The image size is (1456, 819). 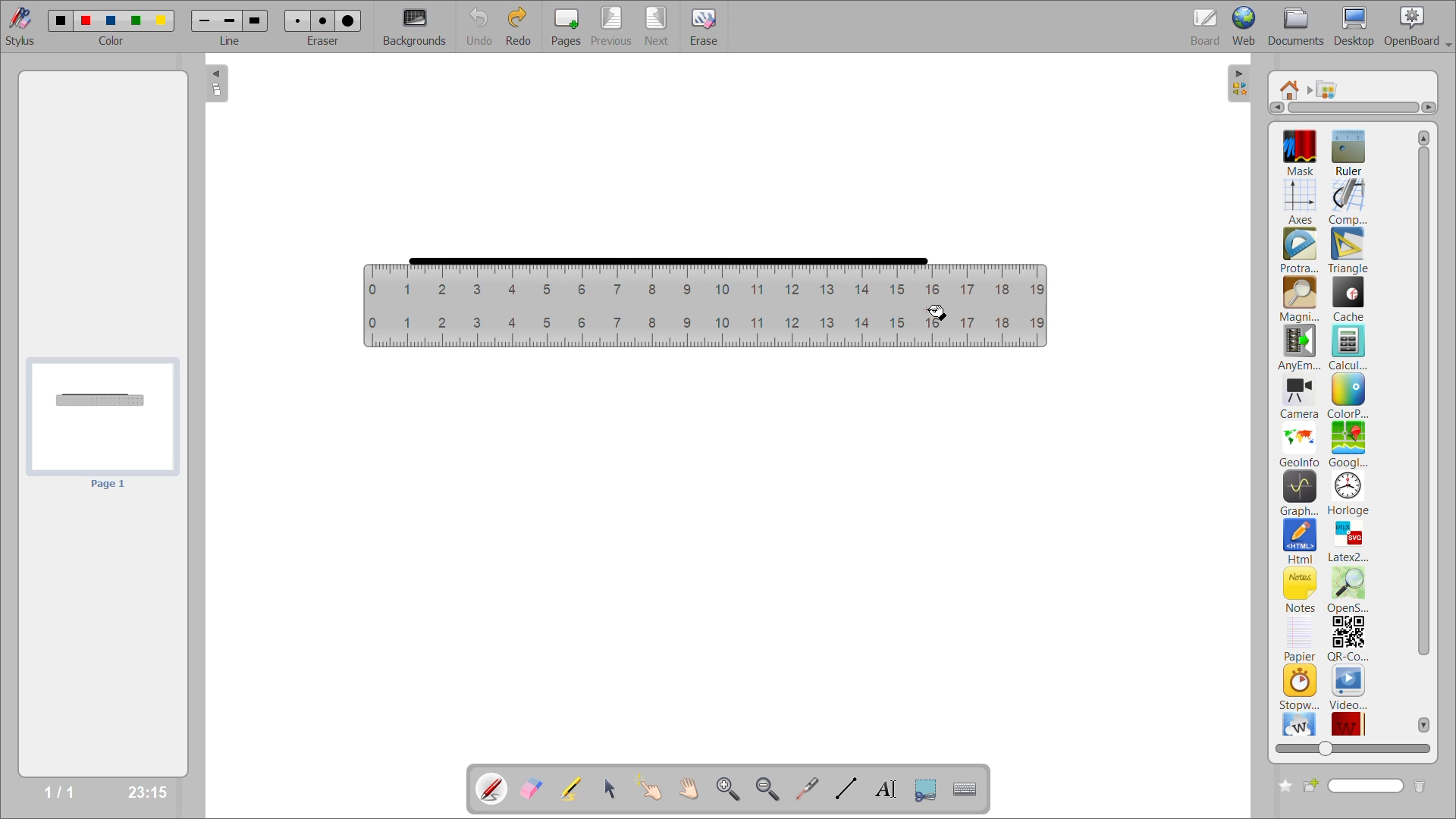 I want to click on interact with items, so click(x=653, y=789).